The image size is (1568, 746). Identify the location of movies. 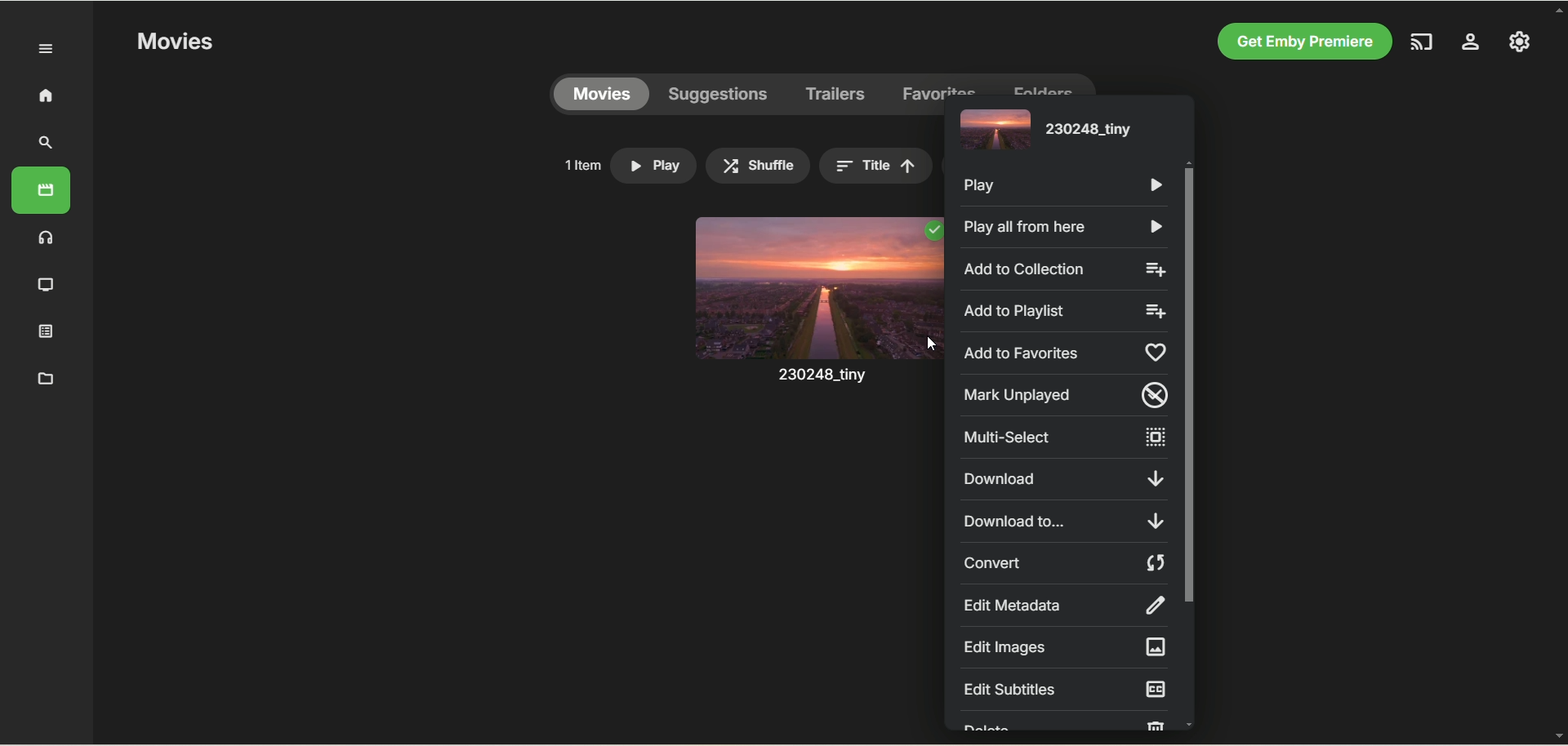
(174, 42).